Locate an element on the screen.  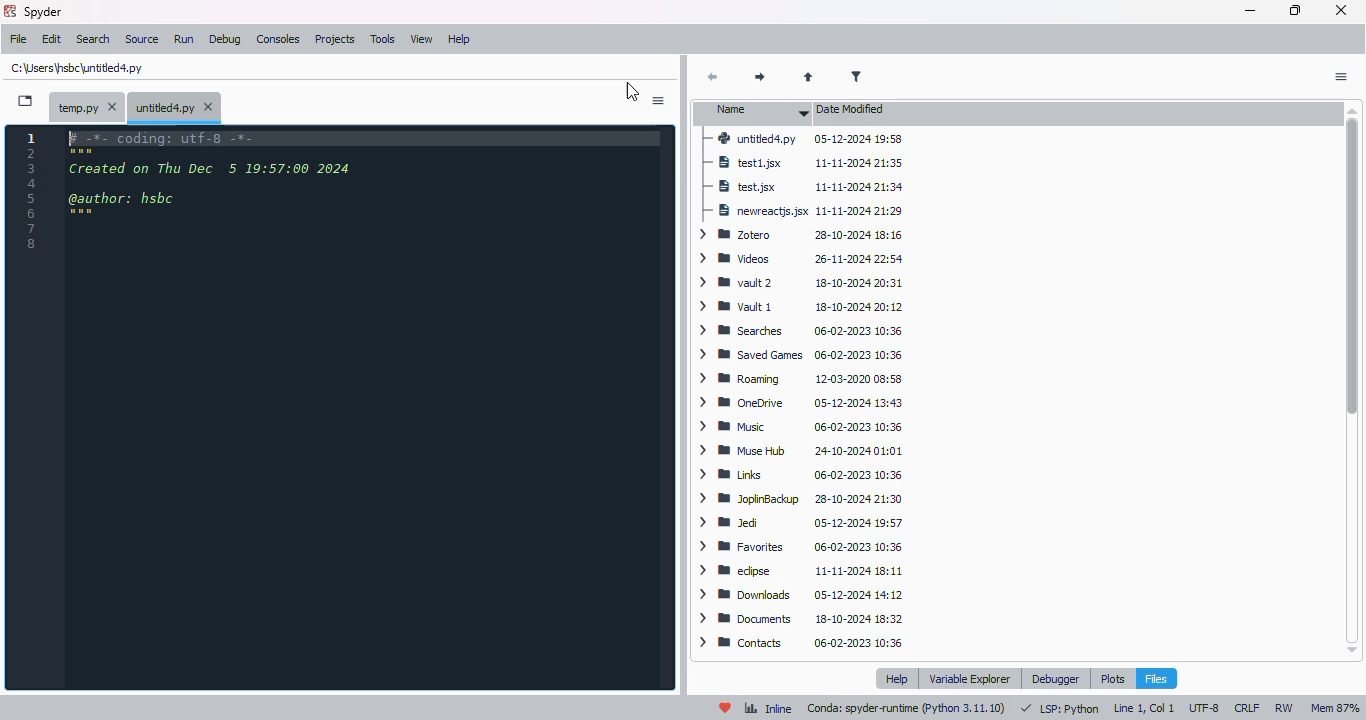
consoles is located at coordinates (278, 38).